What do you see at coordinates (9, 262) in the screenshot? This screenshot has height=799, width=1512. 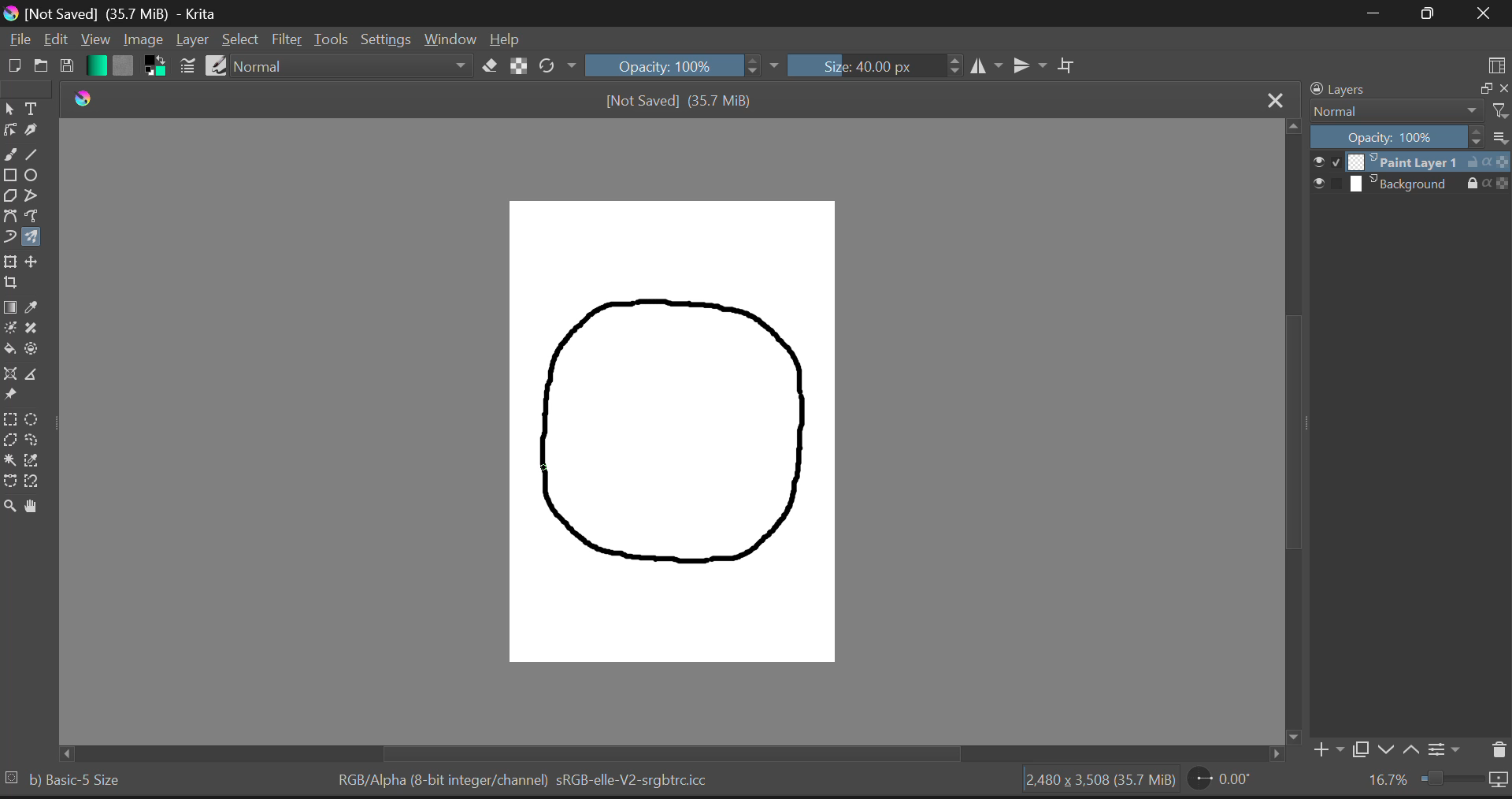 I see `Transform Layer` at bounding box center [9, 262].